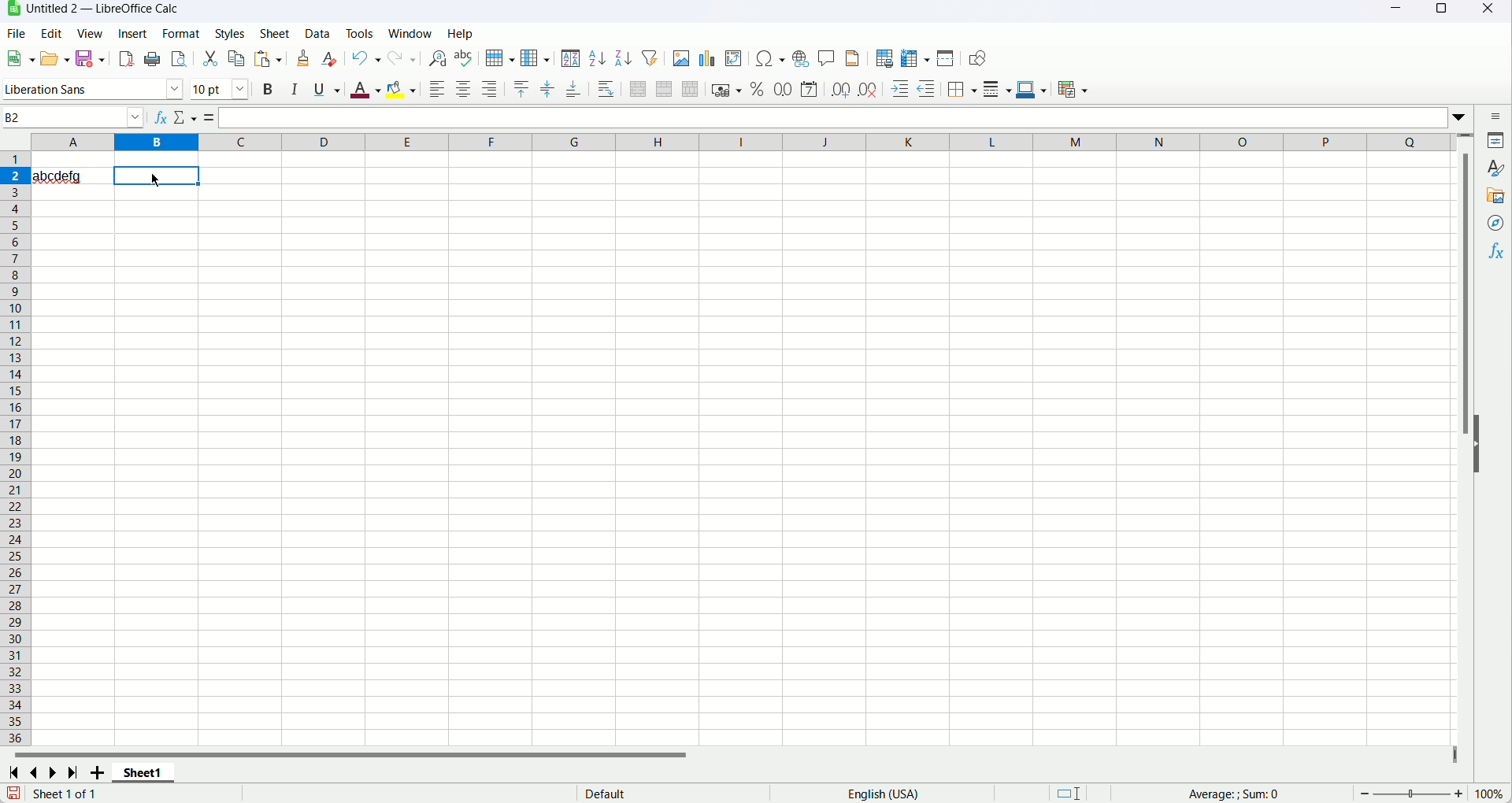  I want to click on scroll to previous page, so click(35, 772).